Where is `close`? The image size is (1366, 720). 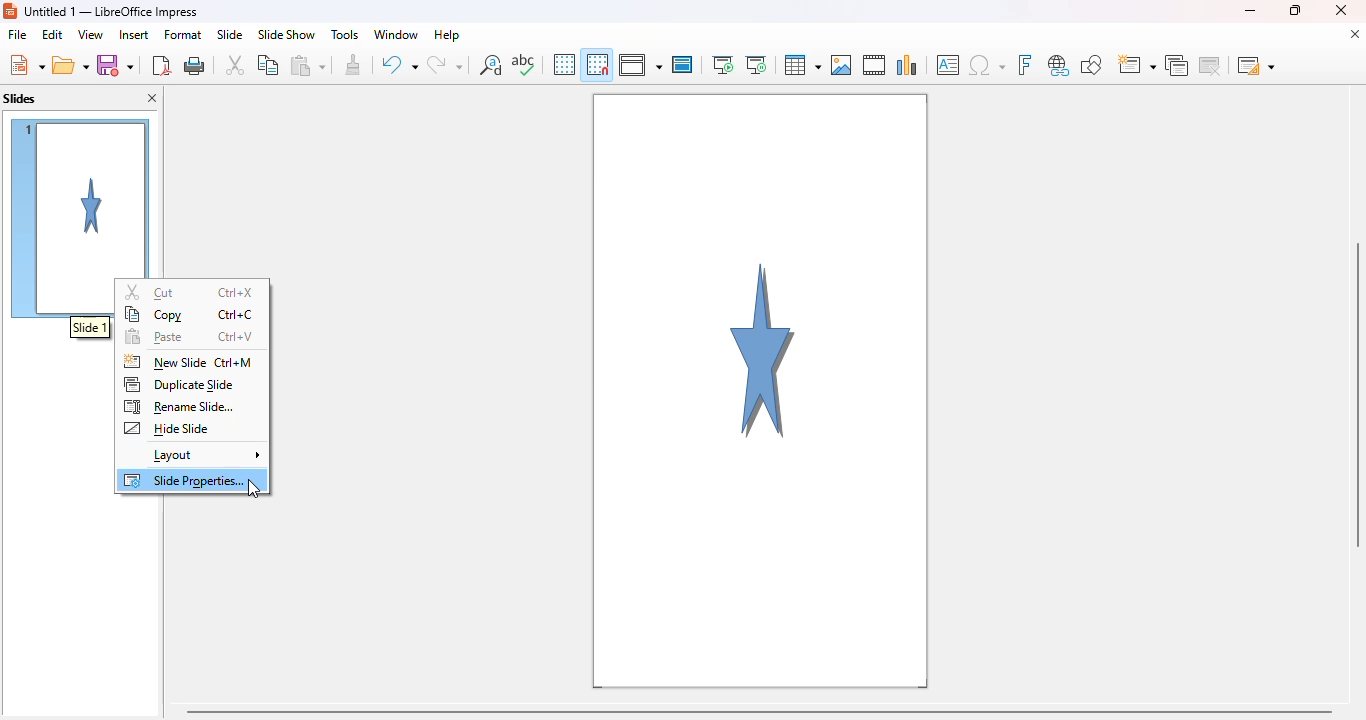
close is located at coordinates (1341, 10).